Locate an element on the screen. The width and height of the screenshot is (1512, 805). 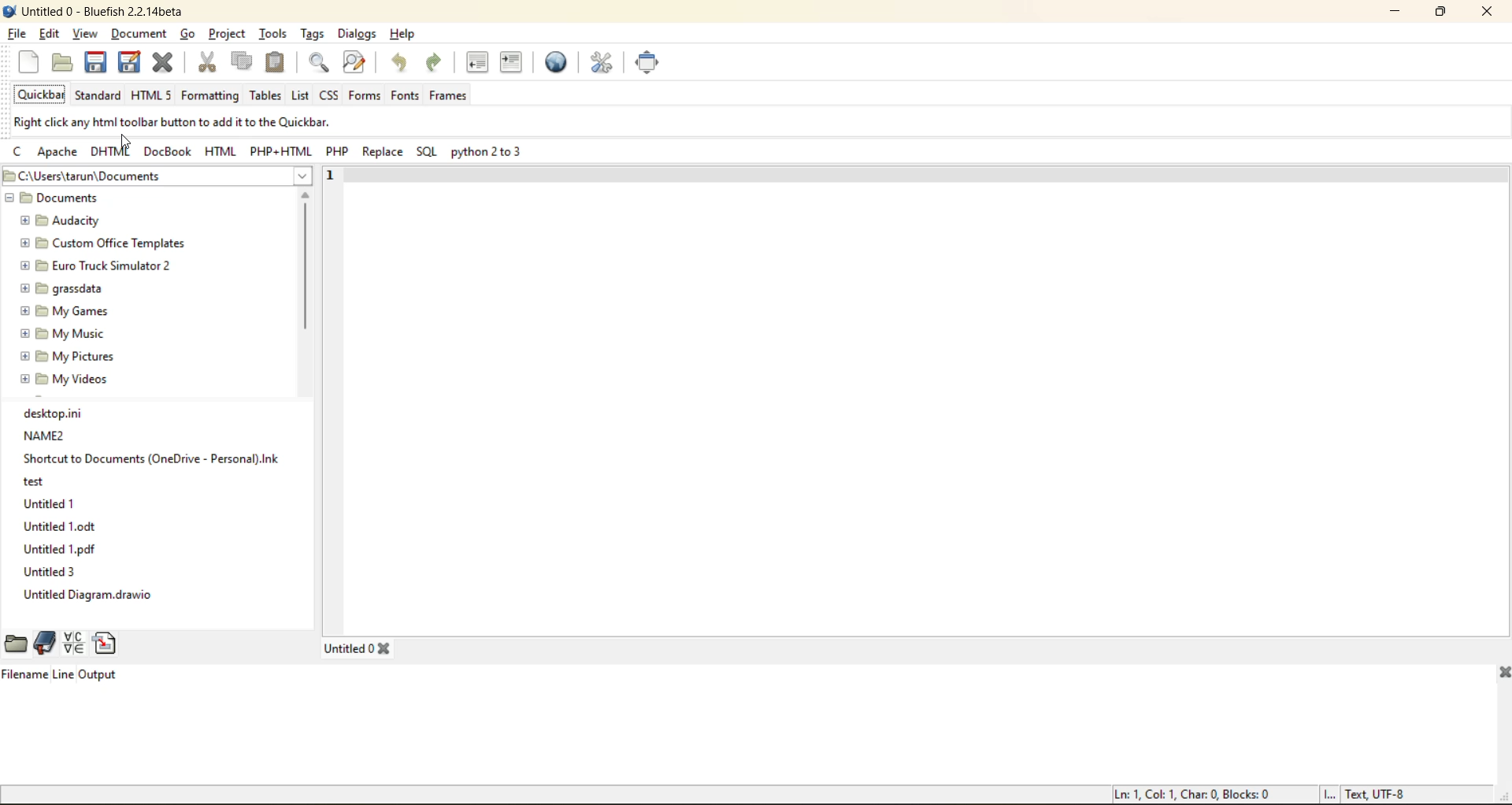
html 5 is located at coordinates (150, 95).